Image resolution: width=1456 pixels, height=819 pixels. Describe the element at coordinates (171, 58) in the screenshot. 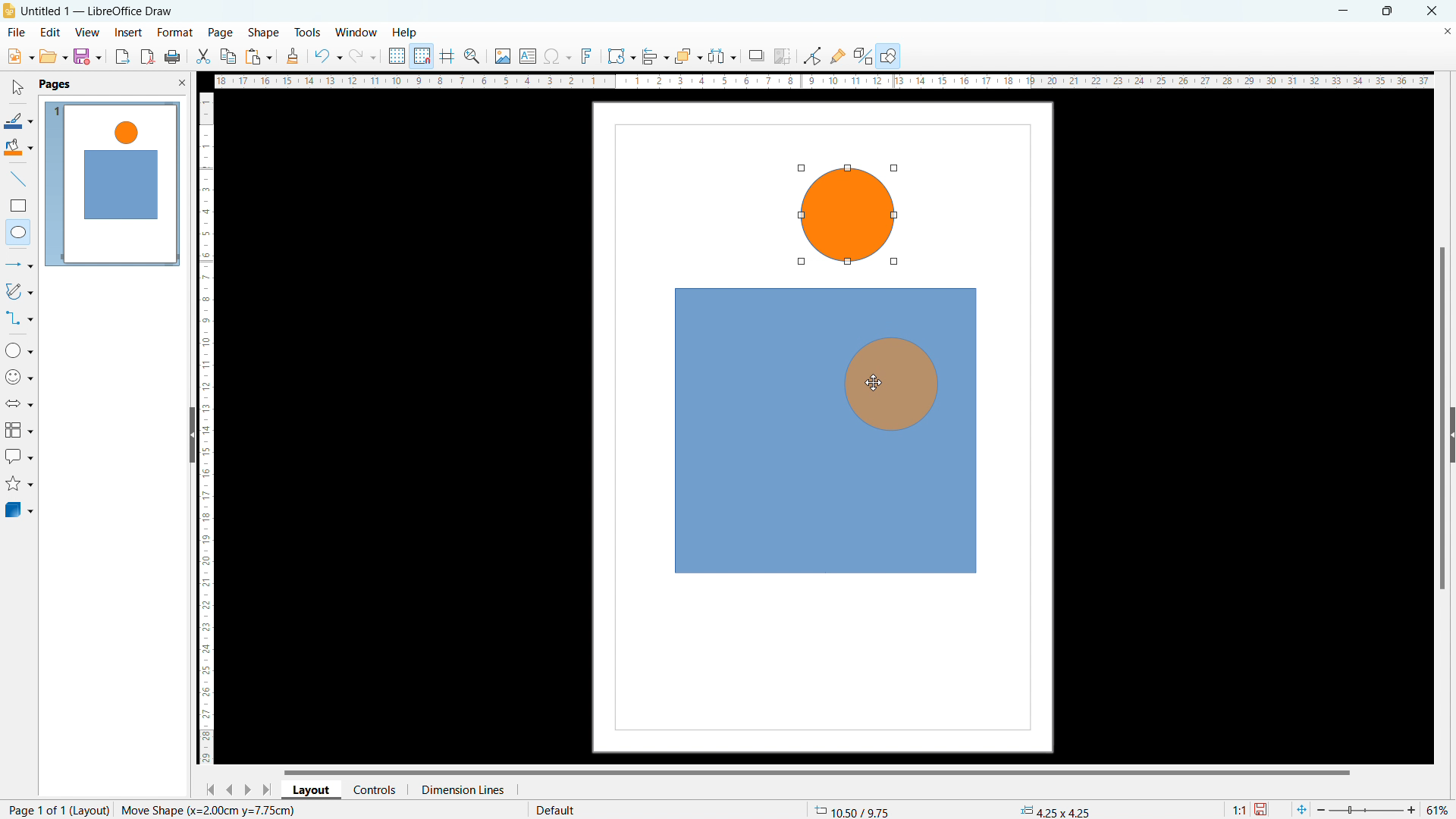

I see `print` at that location.